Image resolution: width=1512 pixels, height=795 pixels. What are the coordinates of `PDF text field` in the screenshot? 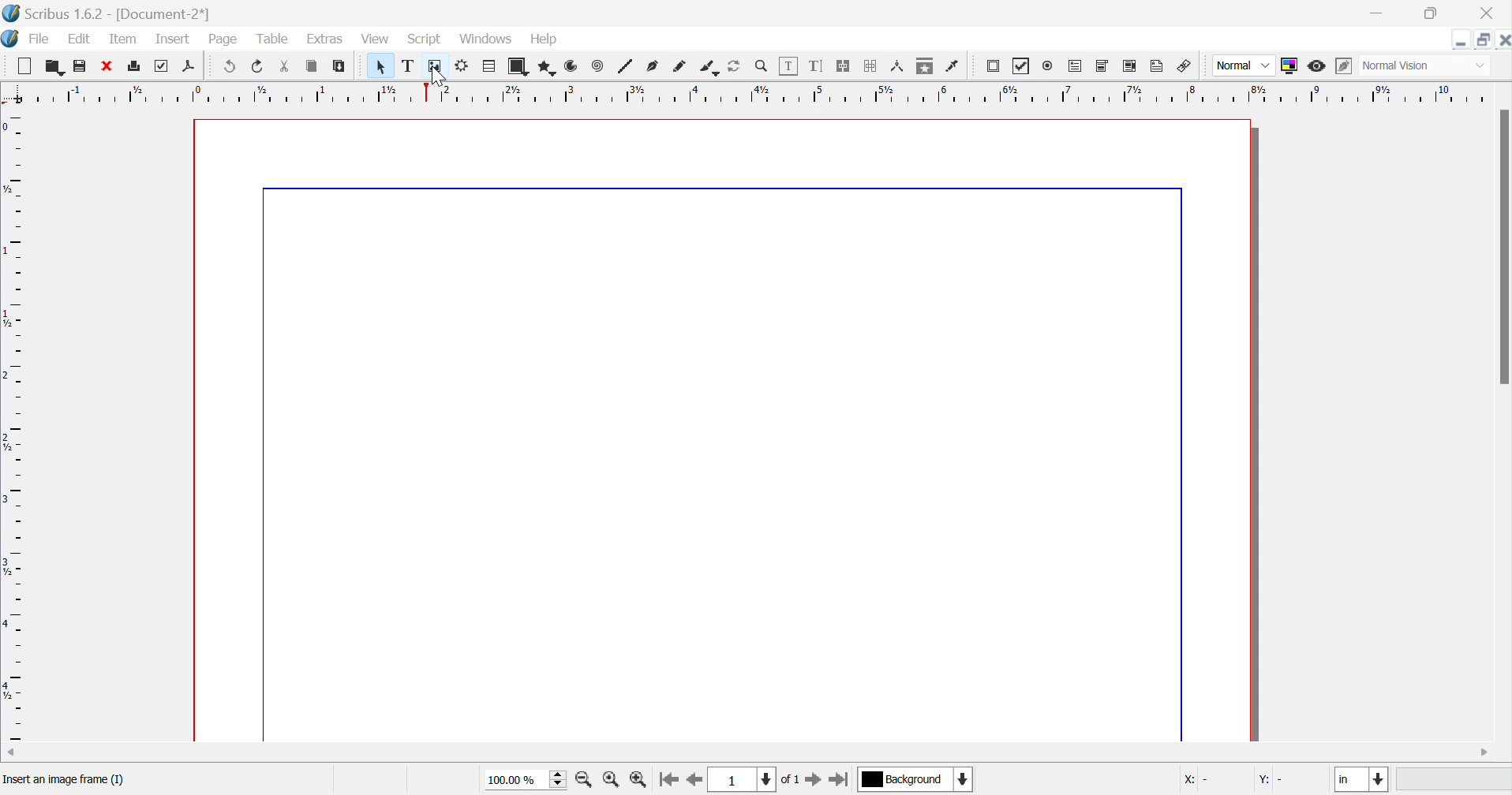 It's located at (1076, 66).